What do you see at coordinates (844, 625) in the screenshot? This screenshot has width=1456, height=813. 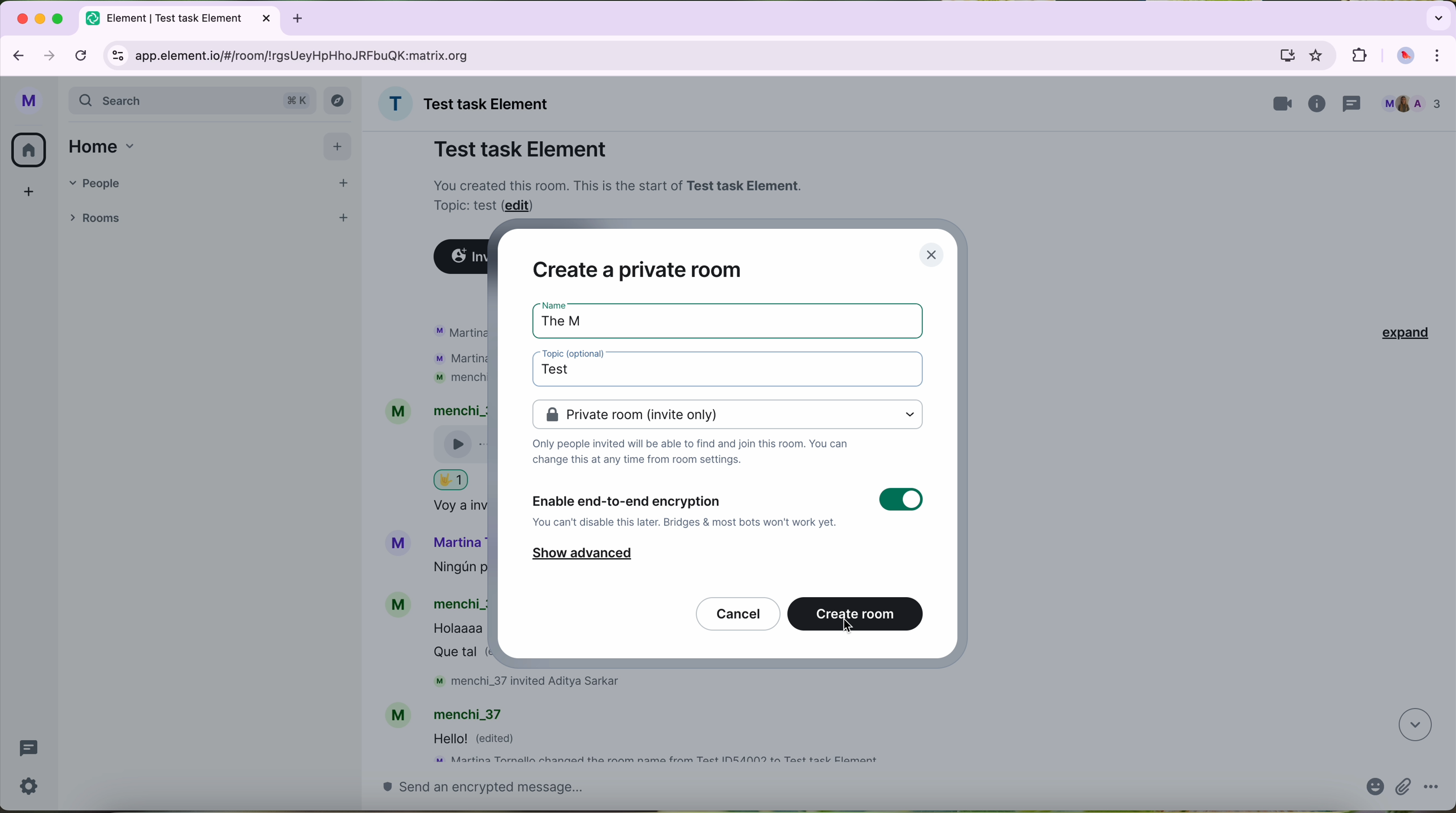 I see `cursor` at bounding box center [844, 625].